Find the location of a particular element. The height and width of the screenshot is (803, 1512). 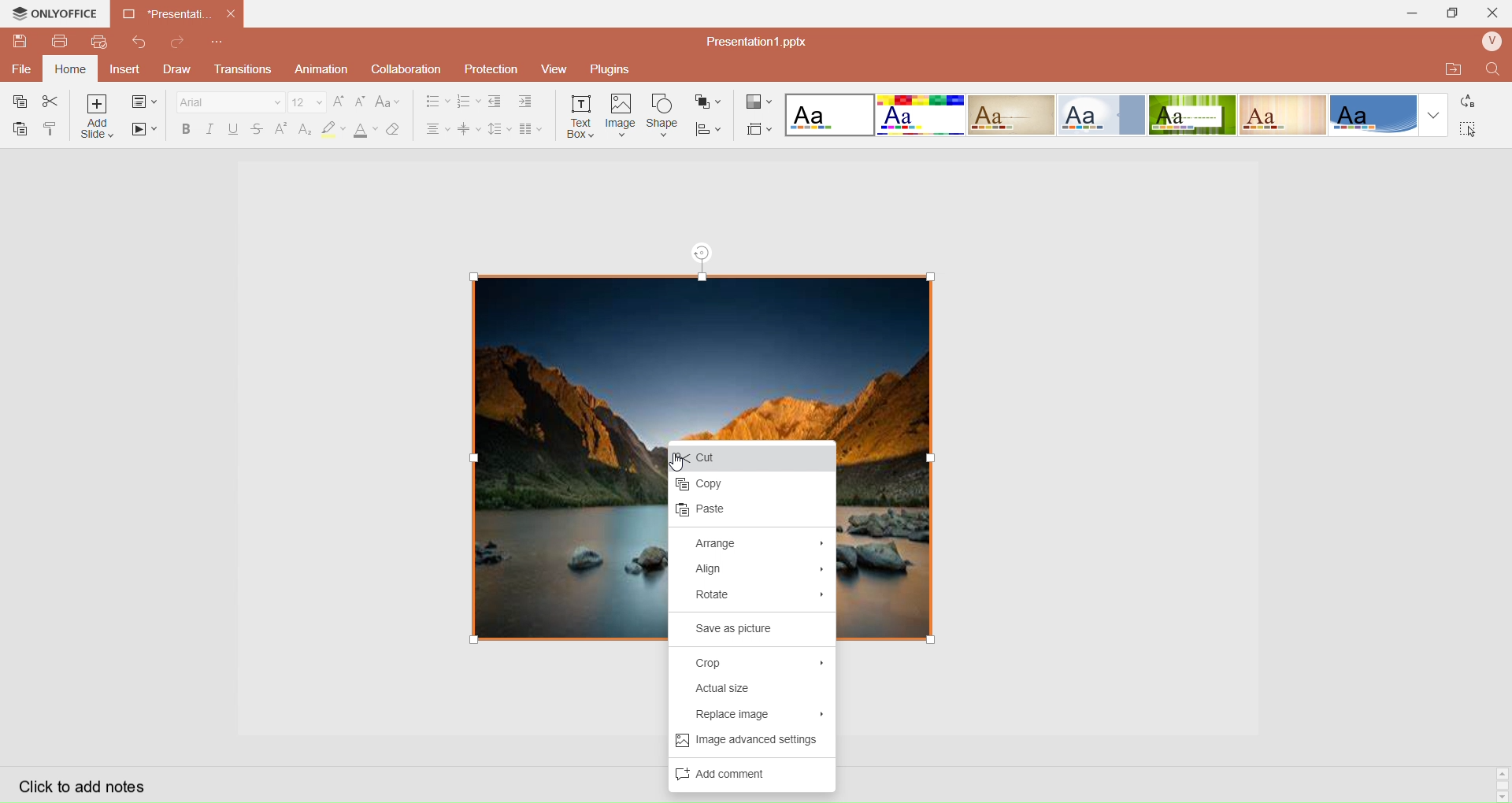

Increase Font Size is located at coordinates (338, 100).